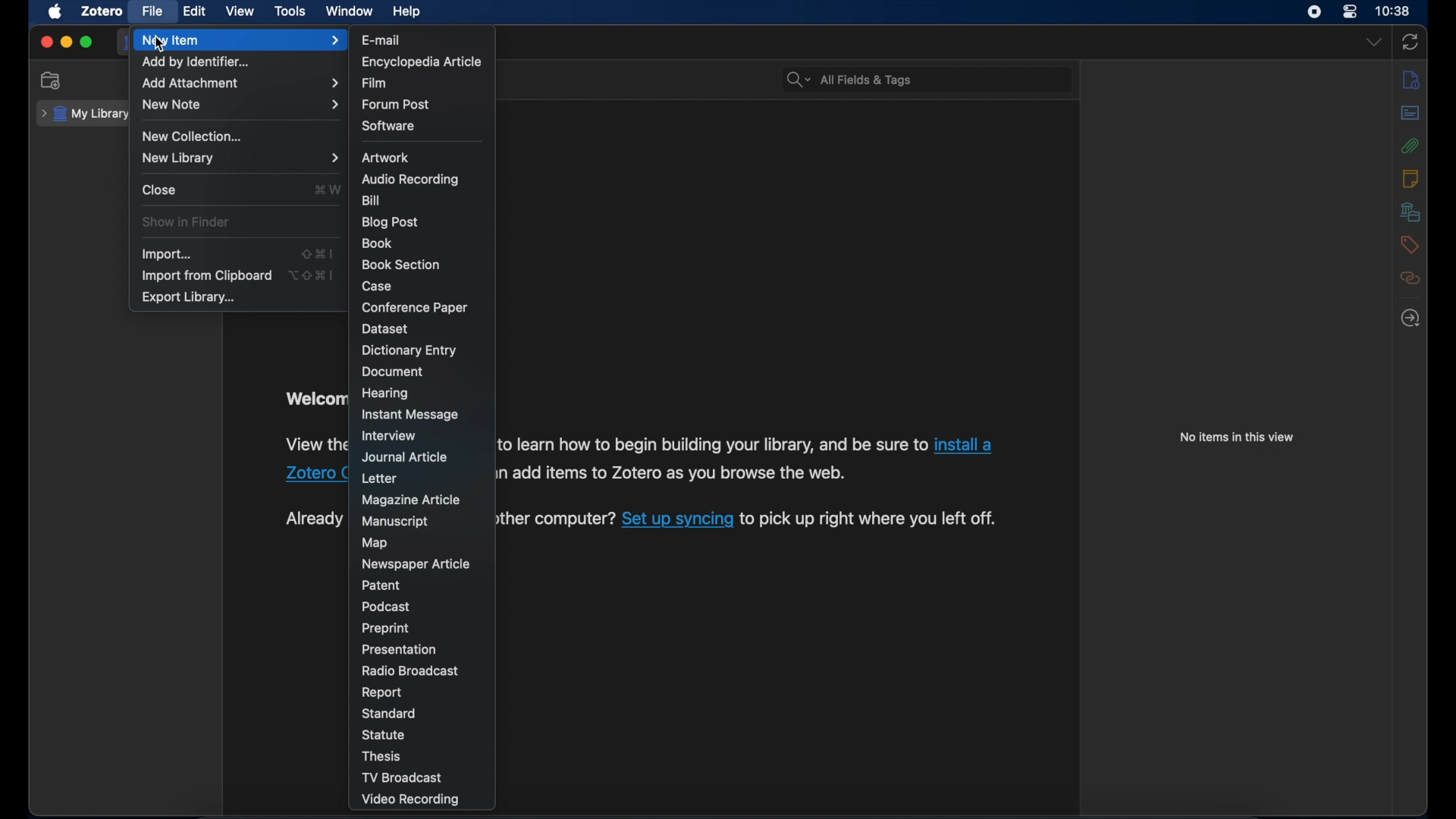 The width and height of the screenshot is (1456, 819). I want to click on tags, so click(1410, 244).